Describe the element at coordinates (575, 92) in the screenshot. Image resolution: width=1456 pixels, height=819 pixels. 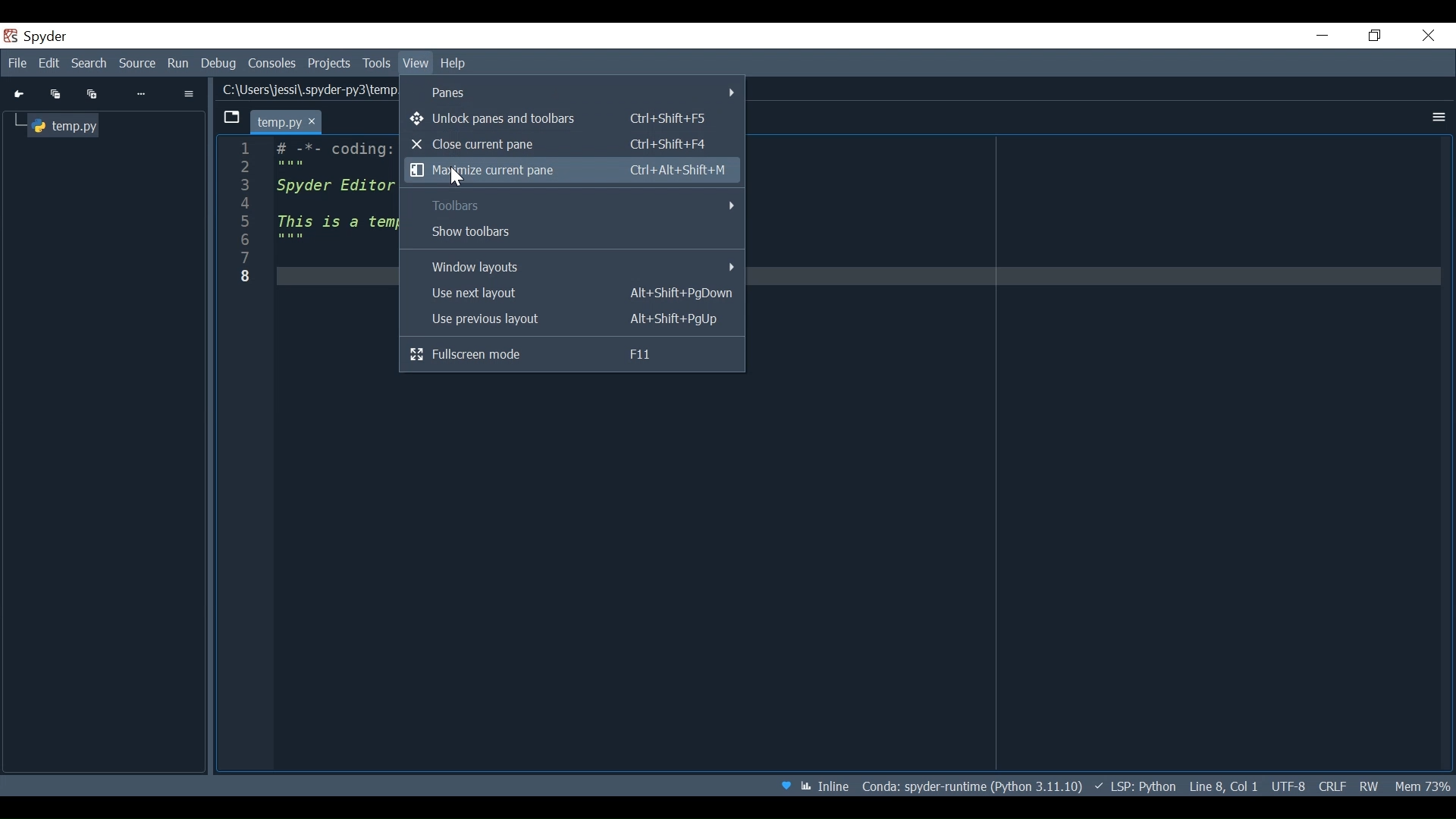
I see `Panes` at that location.